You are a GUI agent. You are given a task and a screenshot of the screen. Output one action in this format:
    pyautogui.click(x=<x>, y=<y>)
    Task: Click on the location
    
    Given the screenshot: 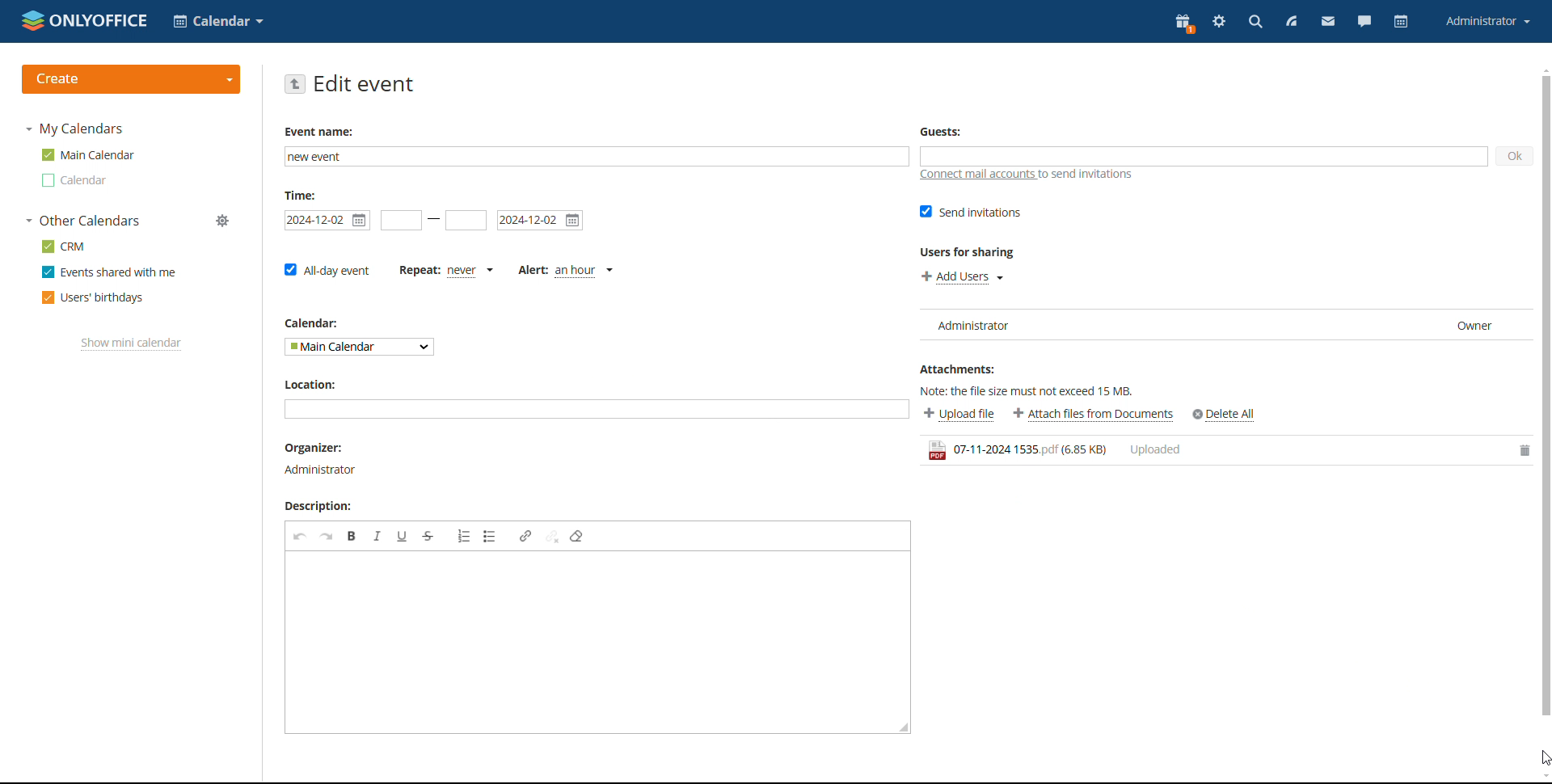 What is the action you would take?
    pyautogui.click(x=314, y=386)
    